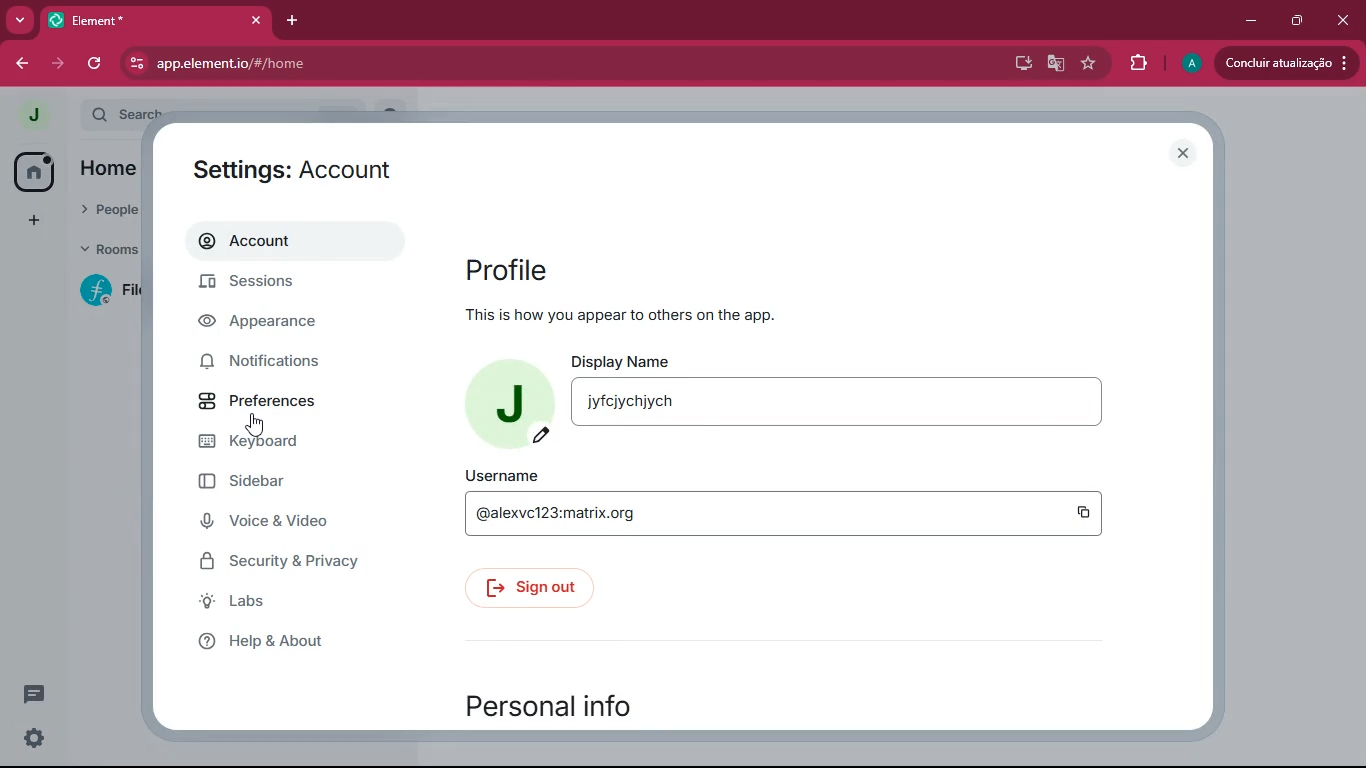 This screenshot has height=768, width=1366. What do you see at coordinates (273, 363) in the screenshot?
I see `notifications` at bounding box center [273, 363].